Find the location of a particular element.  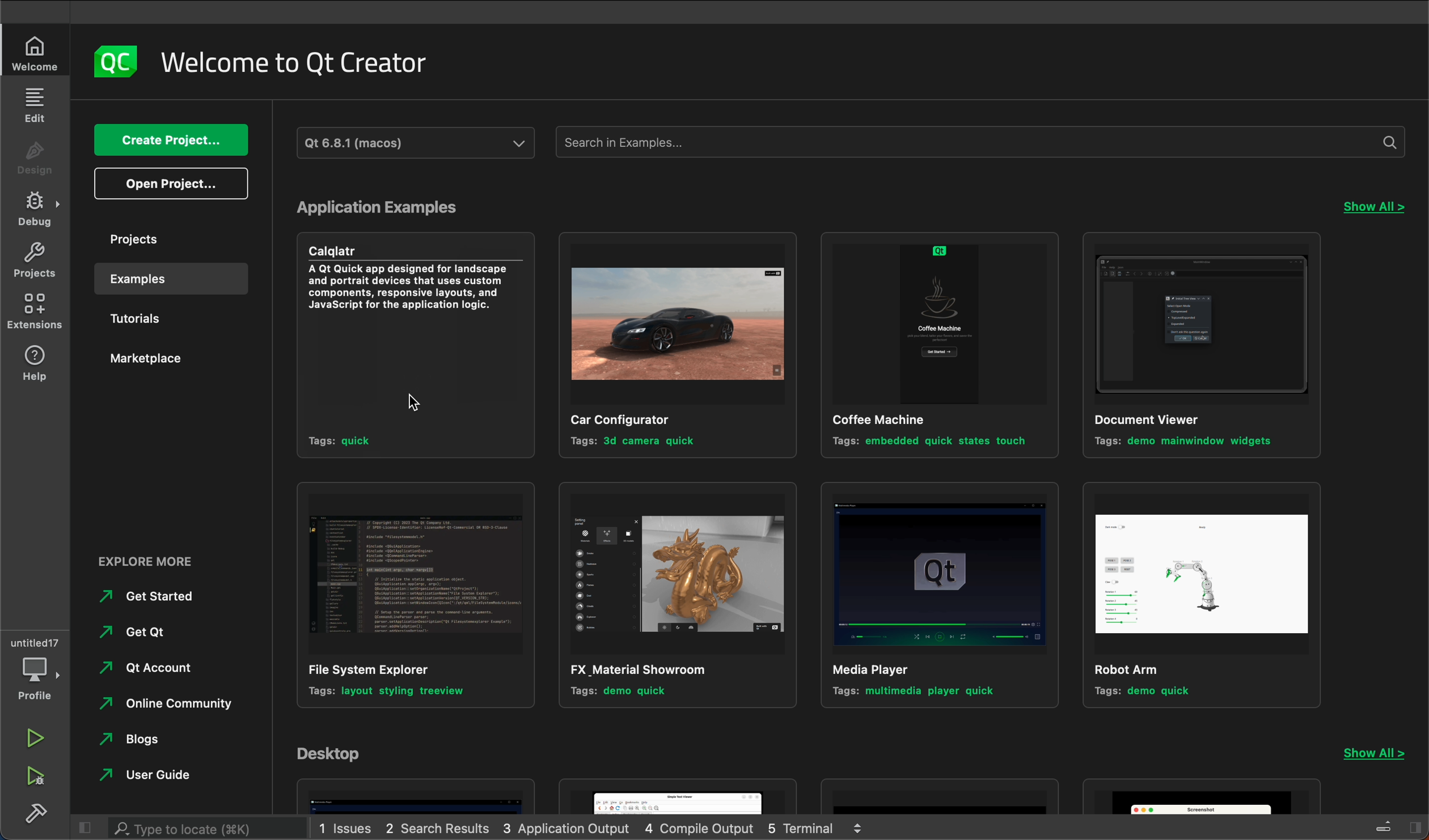

build is located at coordinates (39, 811).